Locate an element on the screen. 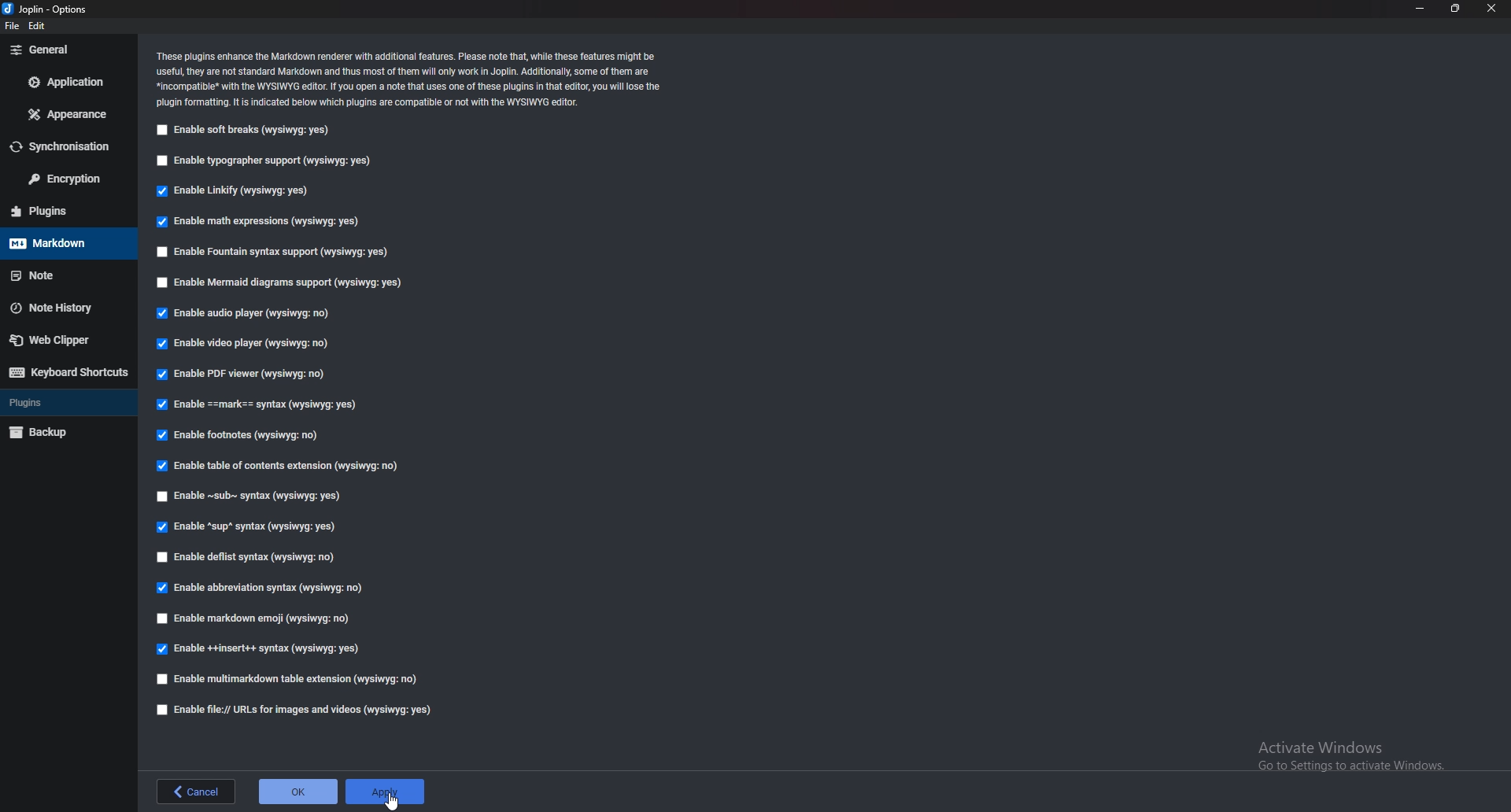  Enable fountain syntax support is located at coordinates (283, 253).